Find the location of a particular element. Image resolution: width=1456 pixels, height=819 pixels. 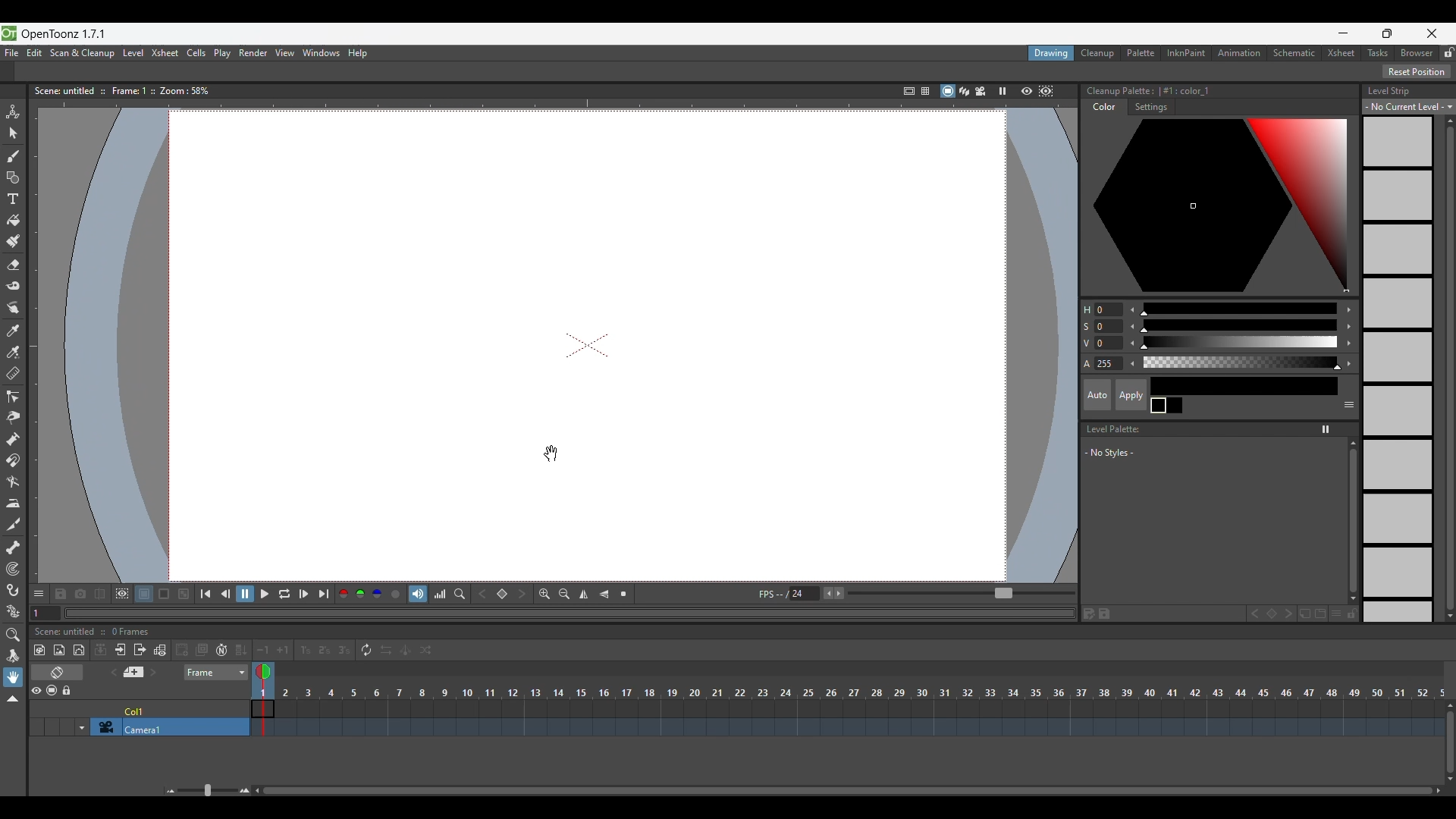

Manually input frames per second is located at coordinates (789, 594).